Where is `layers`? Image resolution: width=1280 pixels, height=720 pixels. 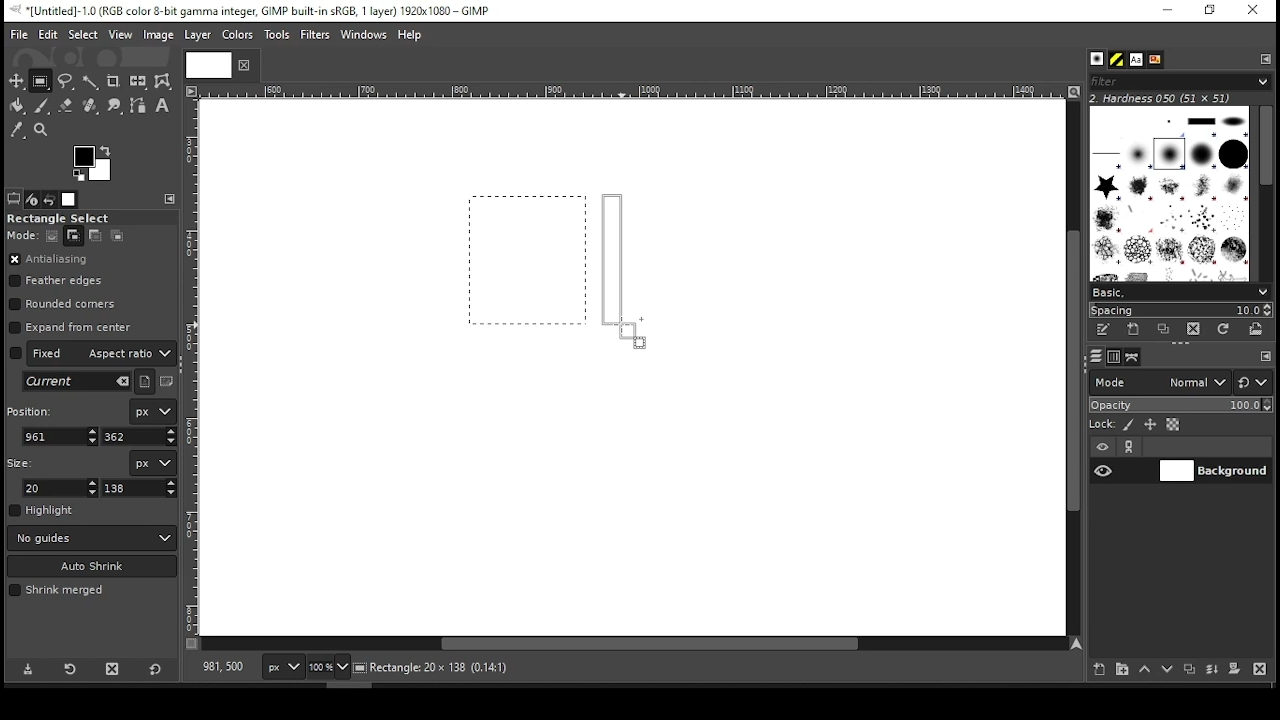 layers is located at coordinates (1095, 357).